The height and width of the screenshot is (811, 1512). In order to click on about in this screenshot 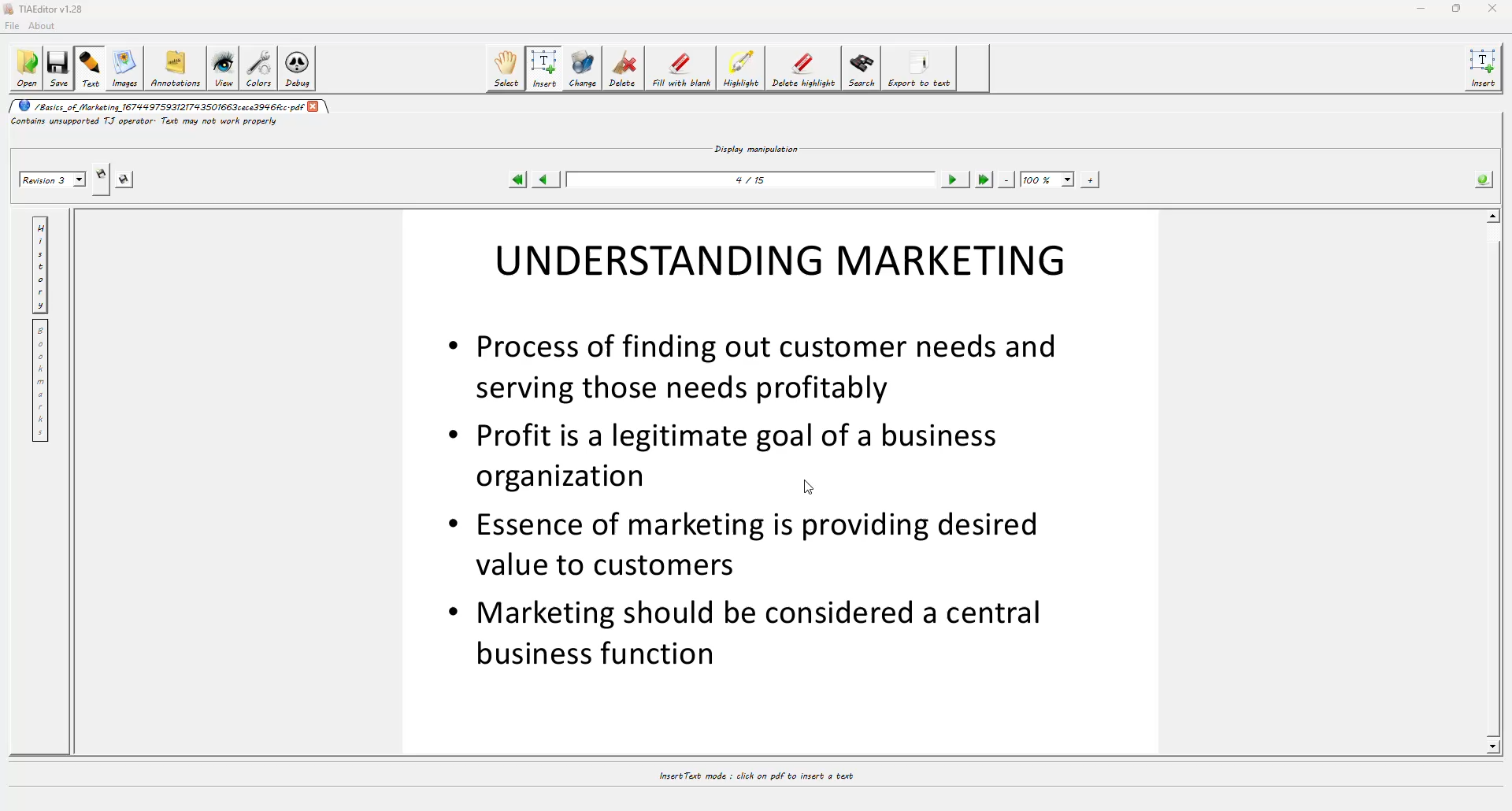, I will do `click(46, 26)`.